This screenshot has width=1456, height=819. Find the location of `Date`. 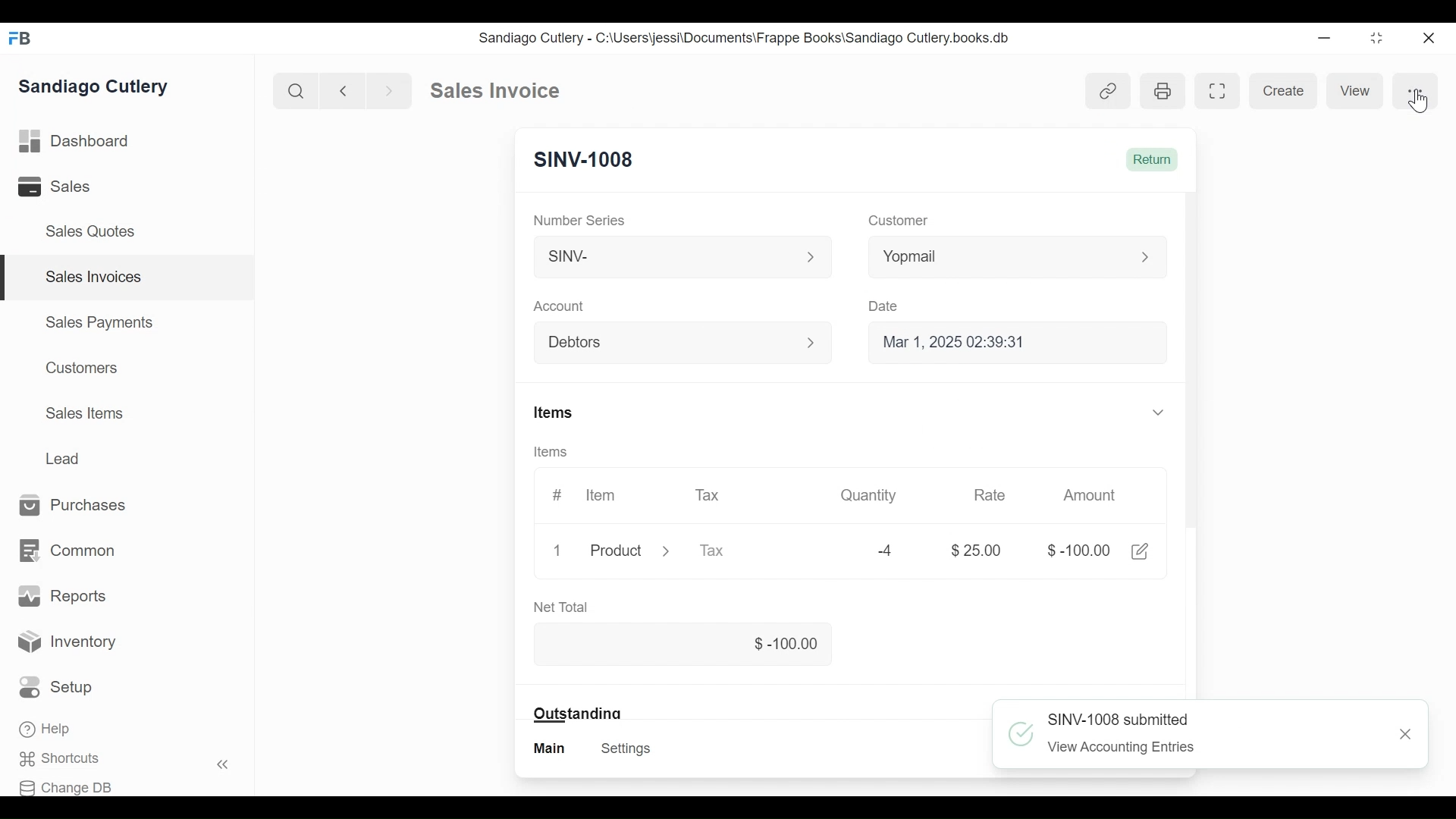

Date is located at coordinates (883, 306).